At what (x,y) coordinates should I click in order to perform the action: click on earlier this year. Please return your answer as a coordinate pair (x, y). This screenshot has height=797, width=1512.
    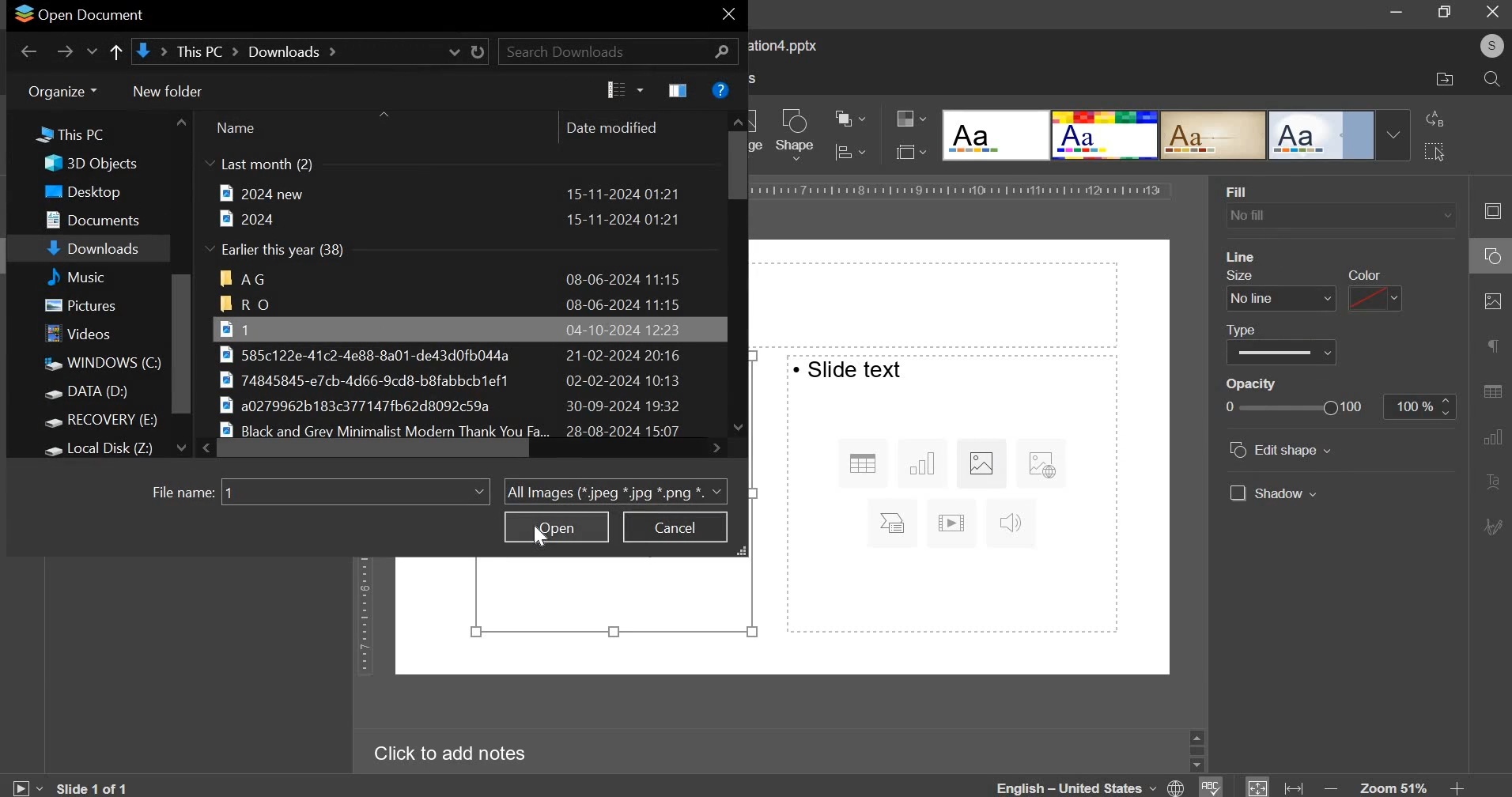
    Looking at the image, I should click on (278, 251).